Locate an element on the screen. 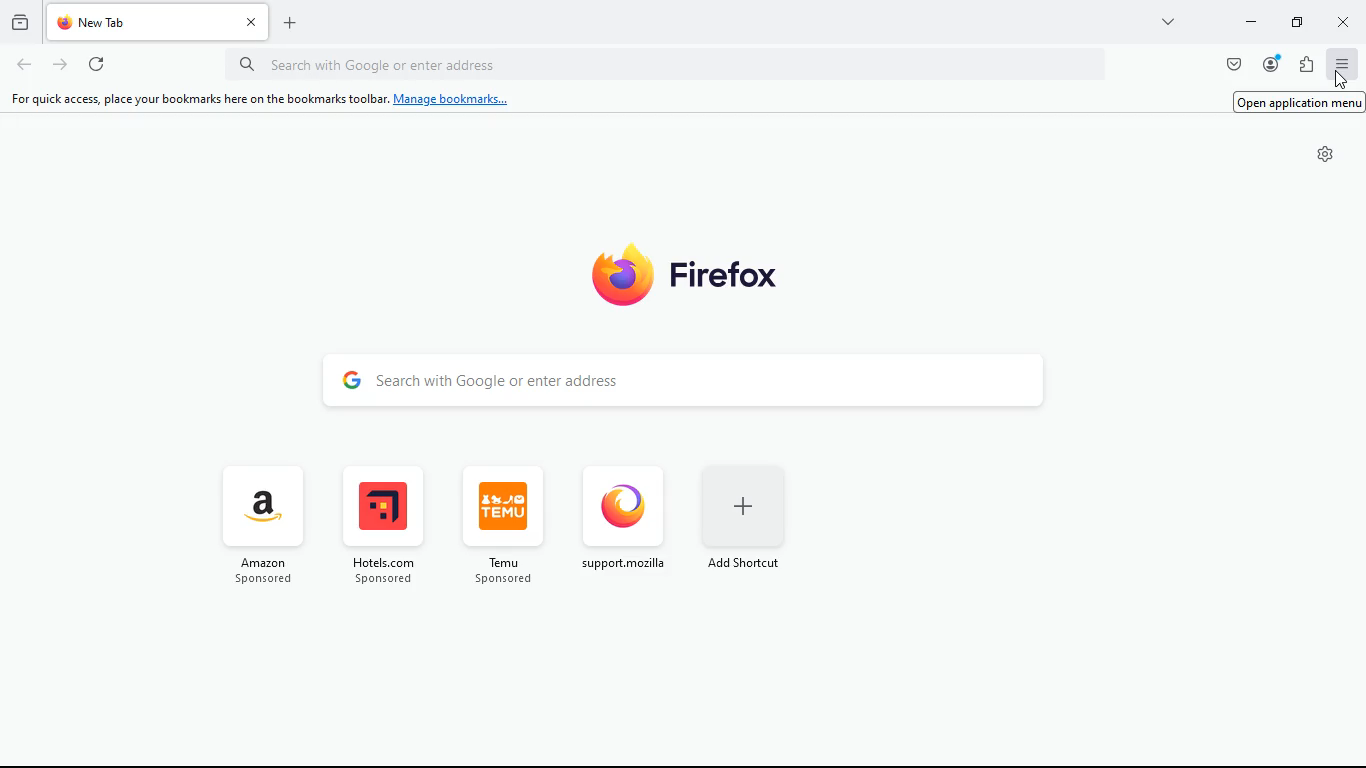 This screenshot has width=1366, height=768. profile is located at coordinates (1269, 64).